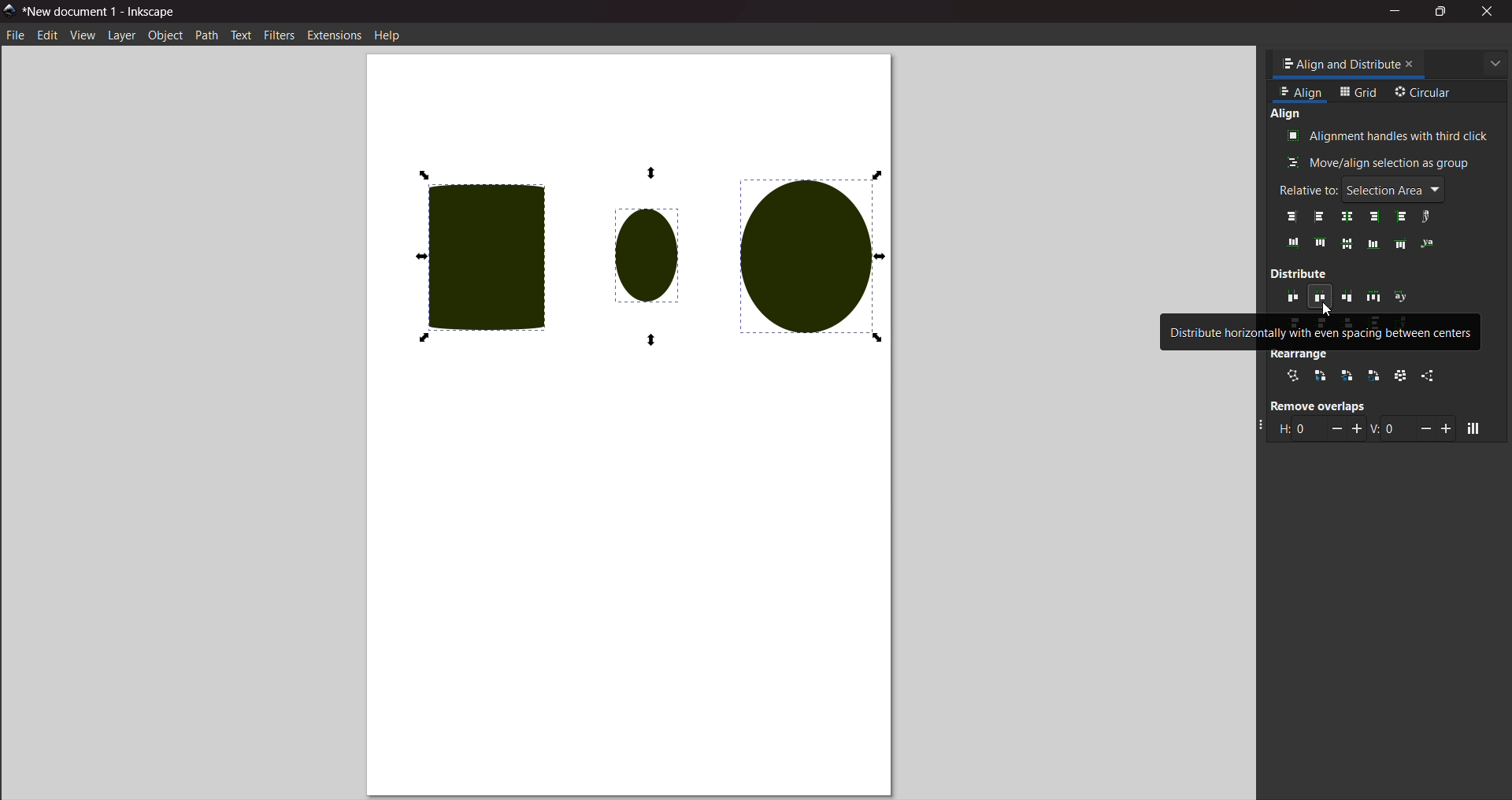  I want to click on distribute horizontlly with even spaces between left edges, so click(1291, 296).